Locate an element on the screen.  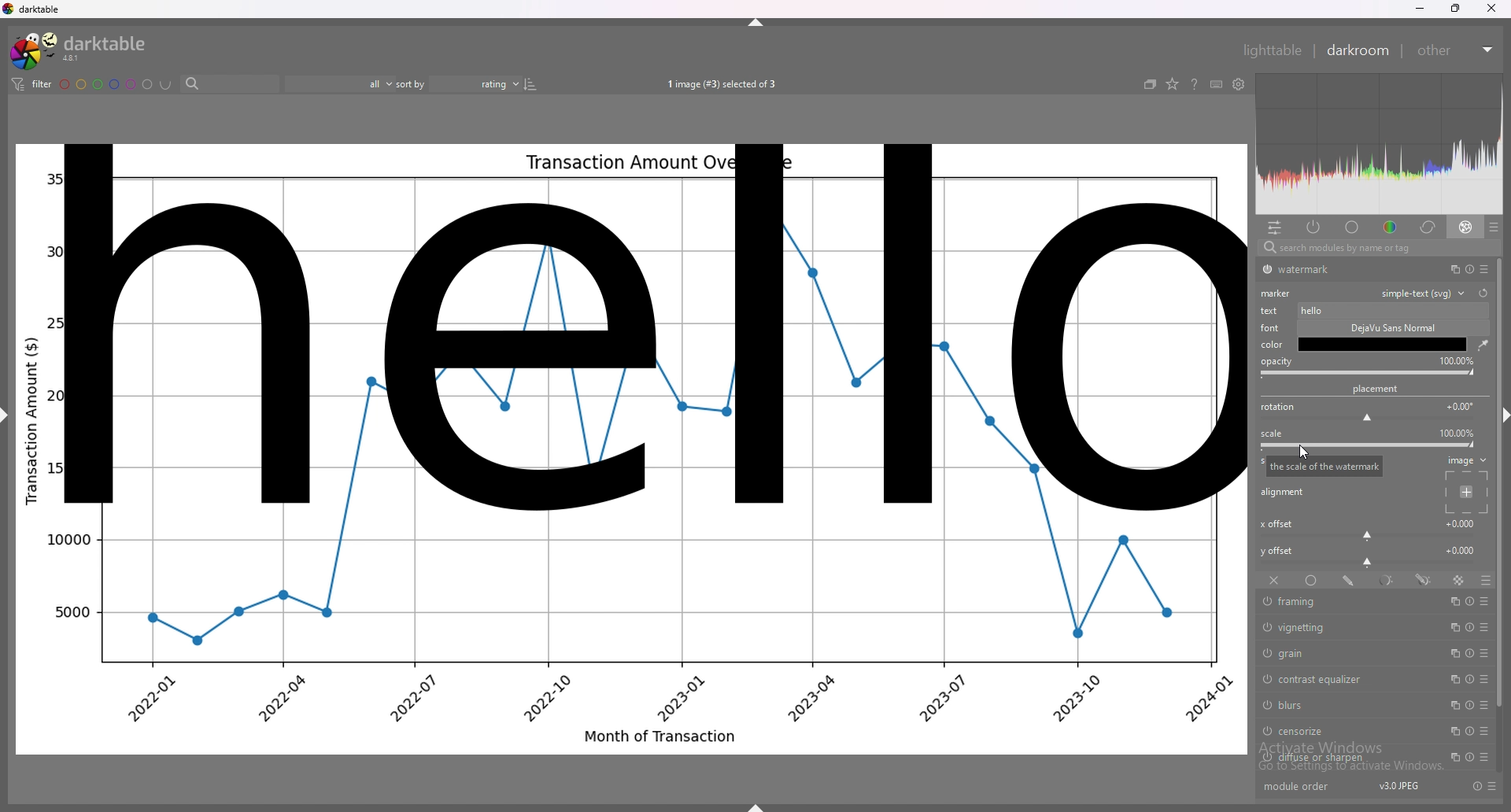
x offset is located at coordinates (1276, 524).